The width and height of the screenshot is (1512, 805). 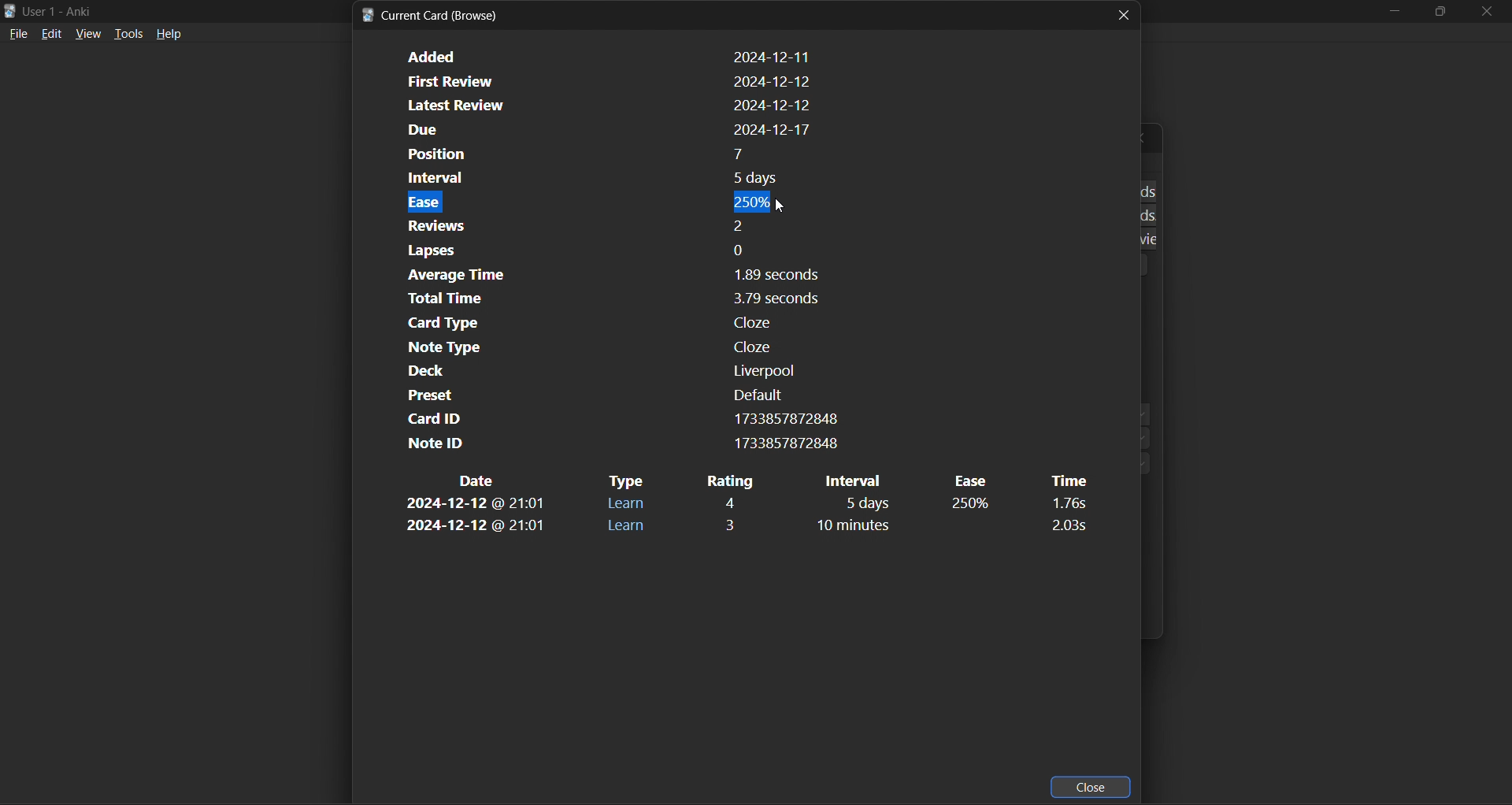 What do you see at coordinates (597, 395) in the screenshot?
I see `card preset` at bounding box center [597, 395].